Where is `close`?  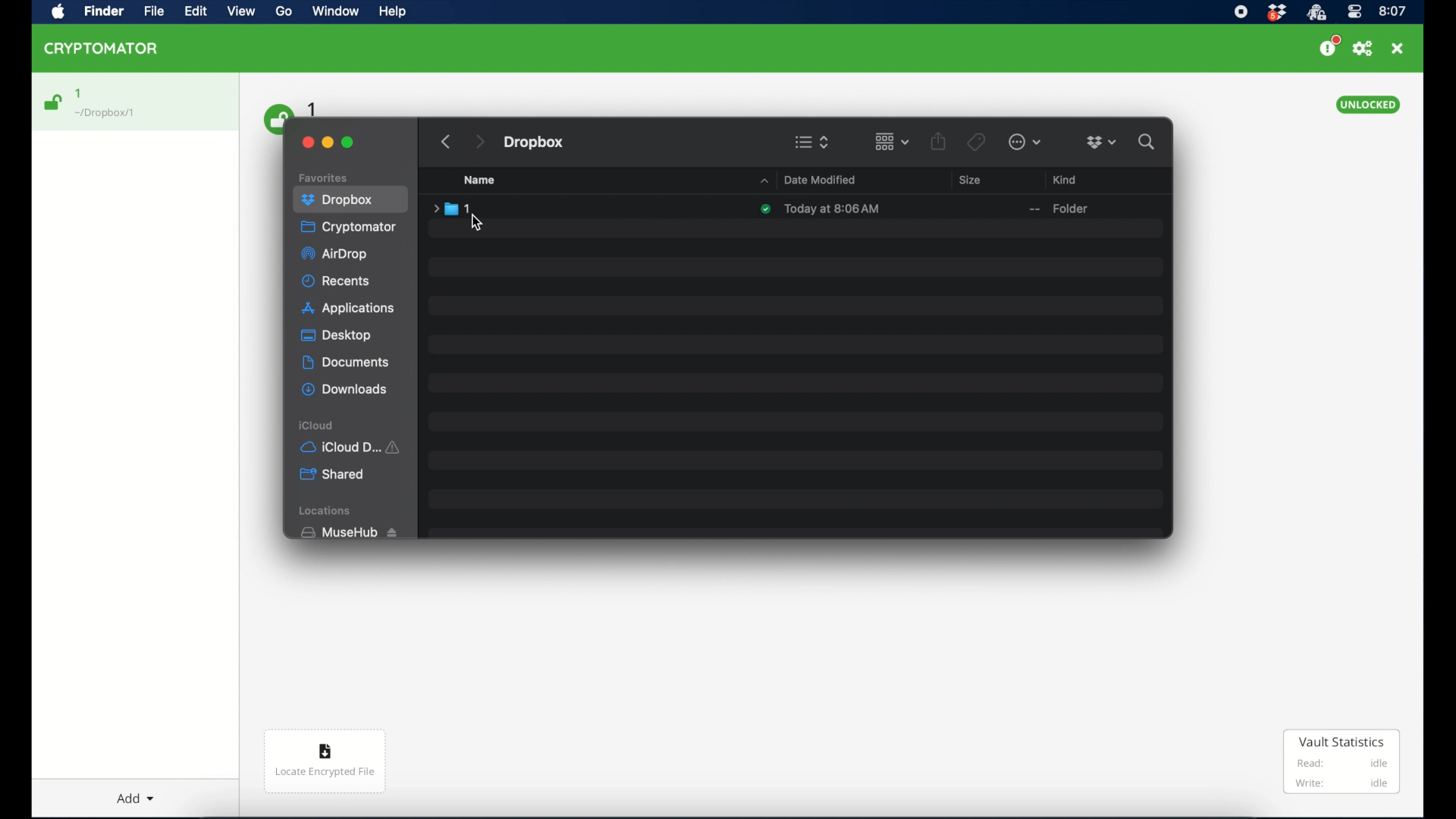
close is located at coordinates (305, 140).